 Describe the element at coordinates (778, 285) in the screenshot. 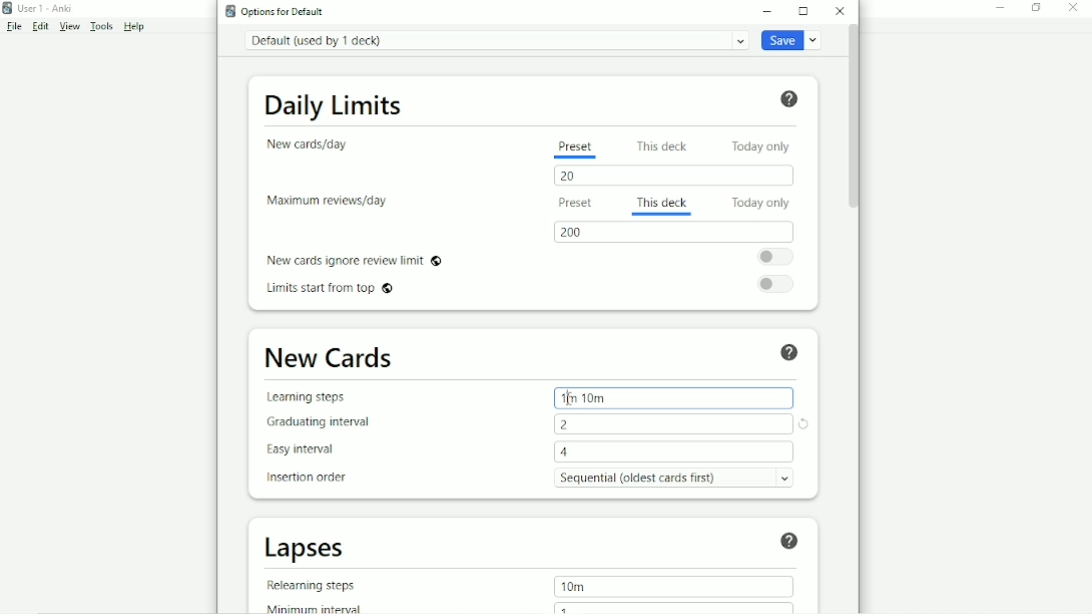

I see `Toggle on/off` at that location.